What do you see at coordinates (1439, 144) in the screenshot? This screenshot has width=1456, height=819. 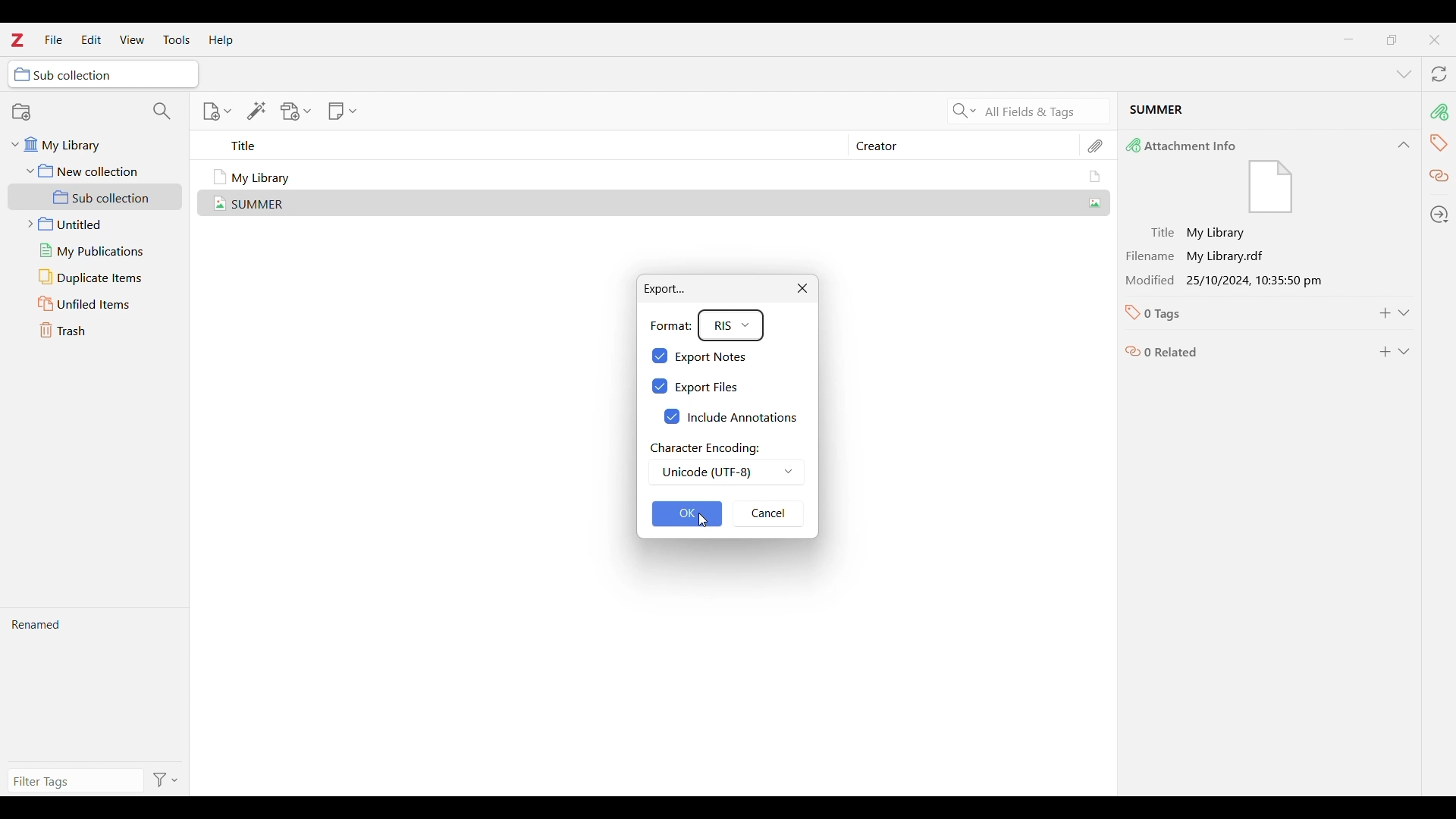 I see `Tags` at bounding box center [1439, 144].